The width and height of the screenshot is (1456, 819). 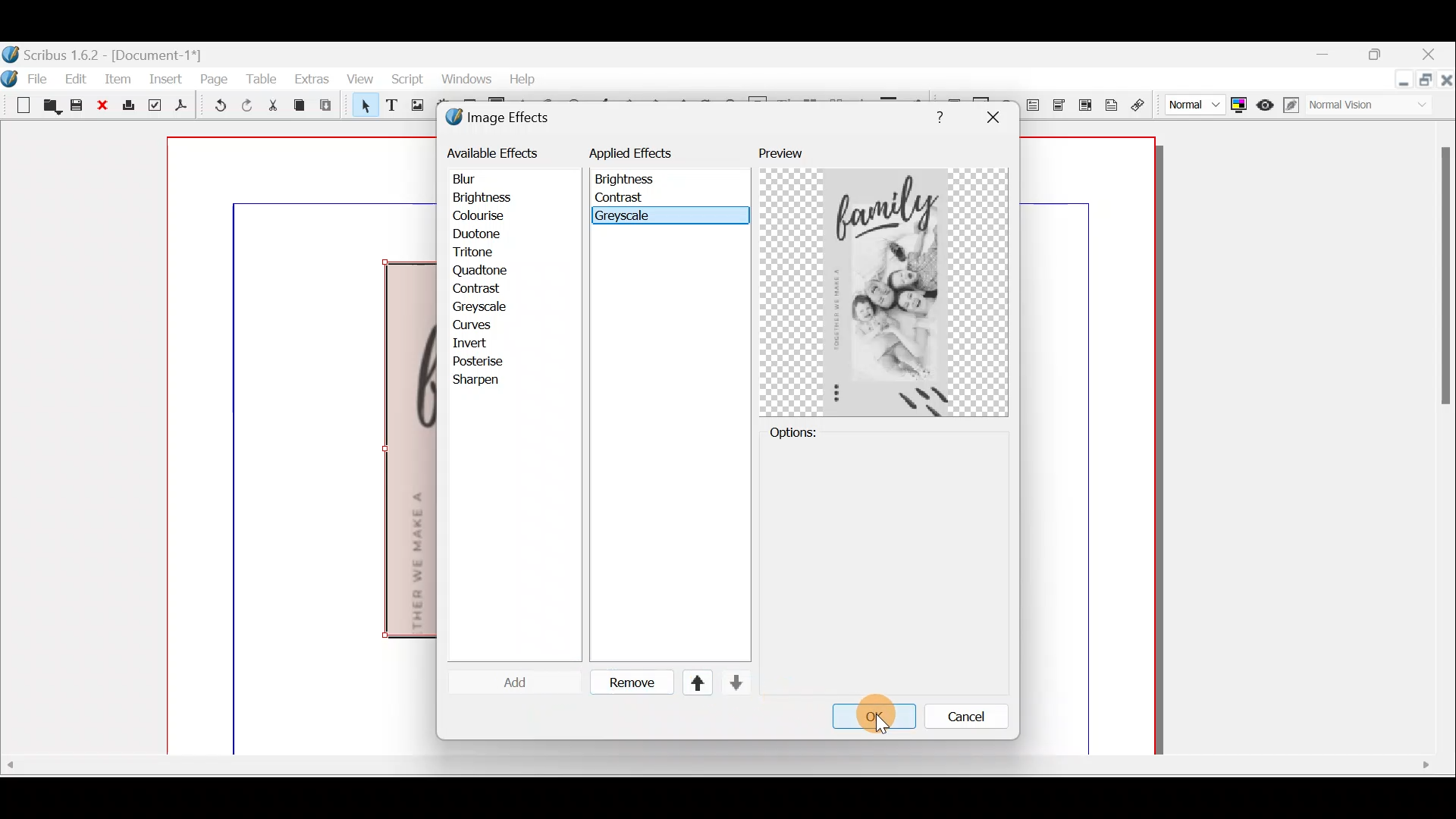 I want to click on New, so click(x=17, y=106).